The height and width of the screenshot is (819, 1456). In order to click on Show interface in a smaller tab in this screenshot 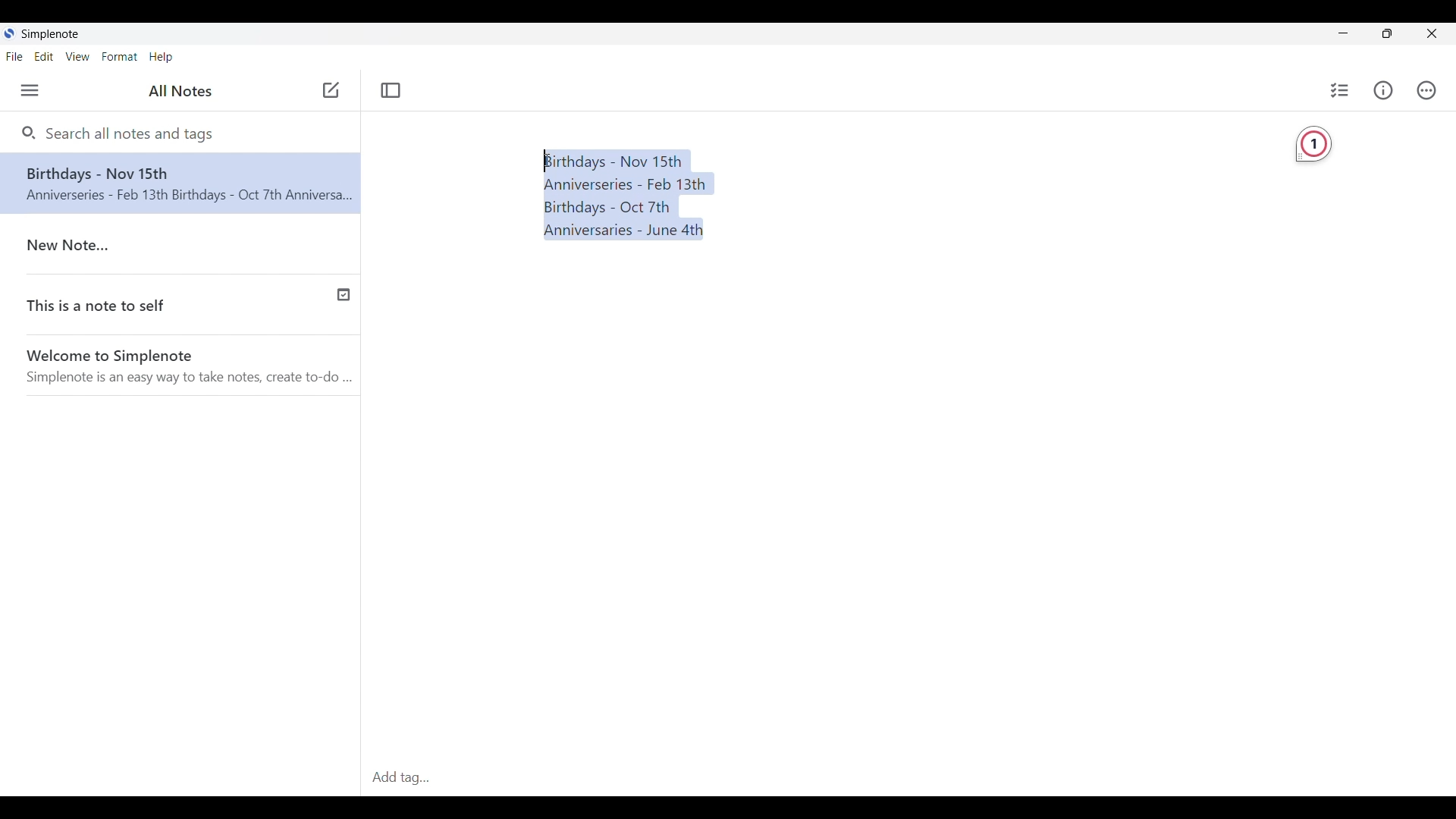, I will do `click(1388, 33)`.